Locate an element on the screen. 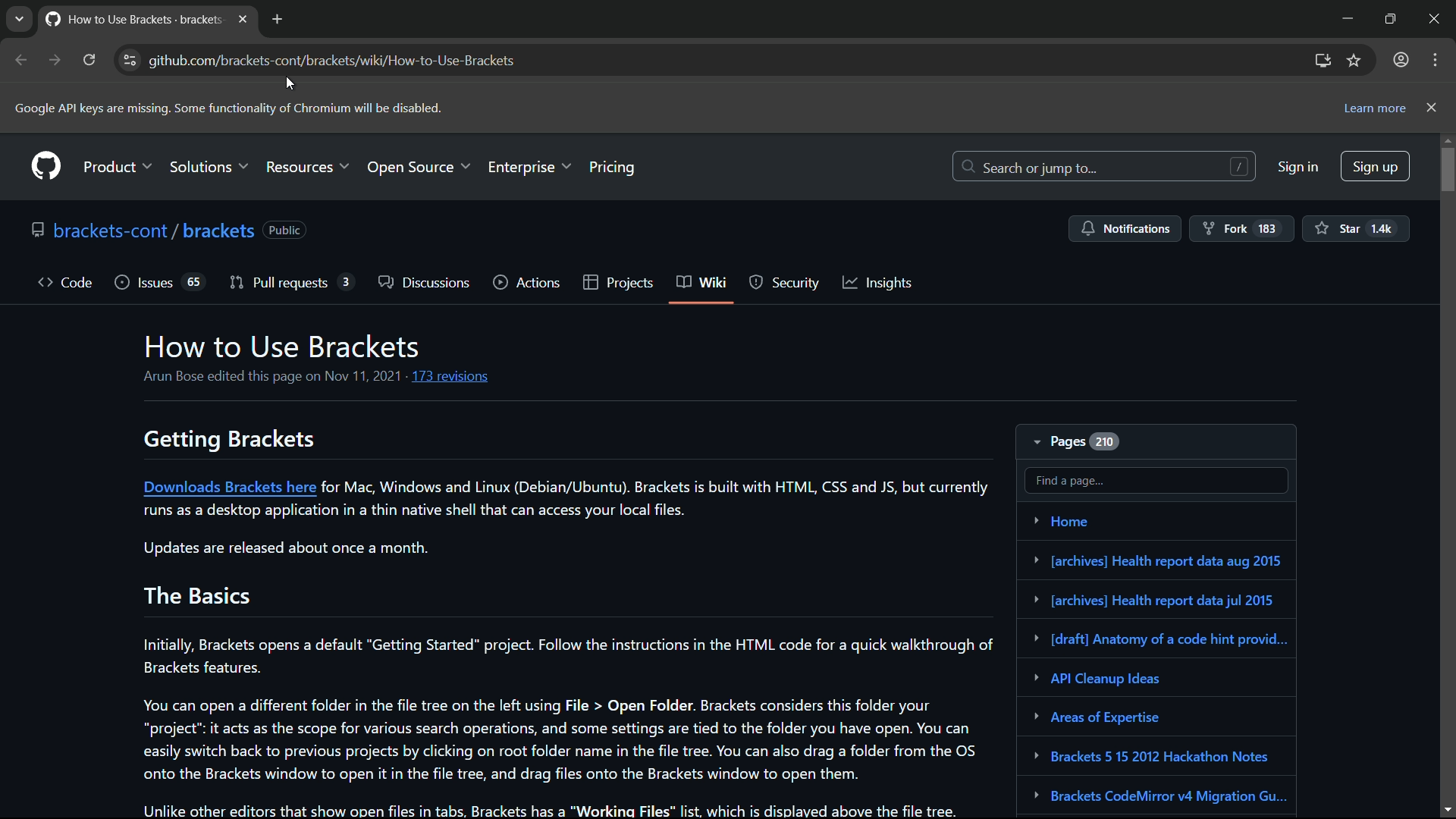 Image resolution: width=1456 pixels, height=819 pixels. issues 65 is located at coordinates (161, 282).